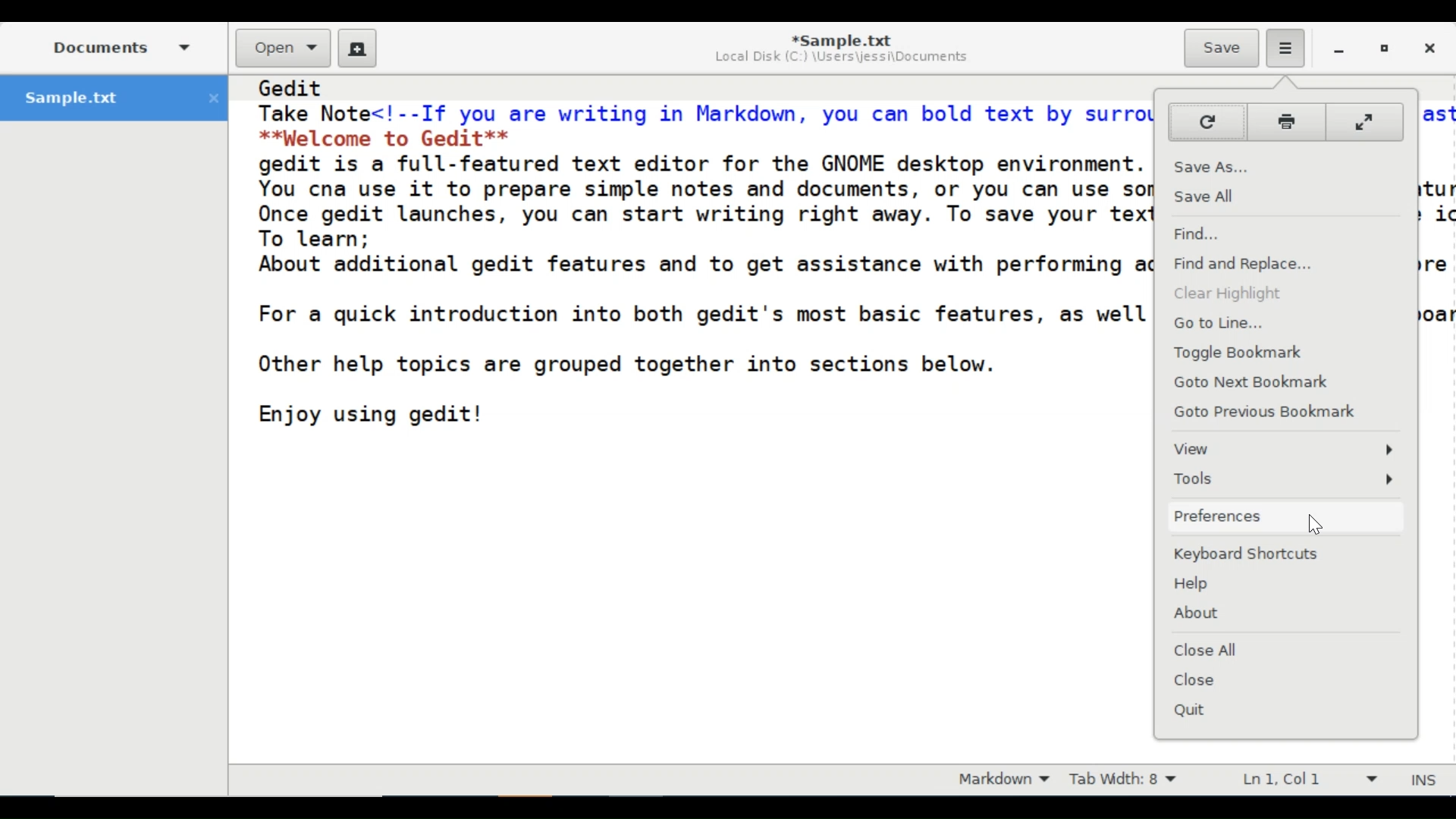 The image size is (1456, 819). I want to click on Go to Line, so click(1225, 323).